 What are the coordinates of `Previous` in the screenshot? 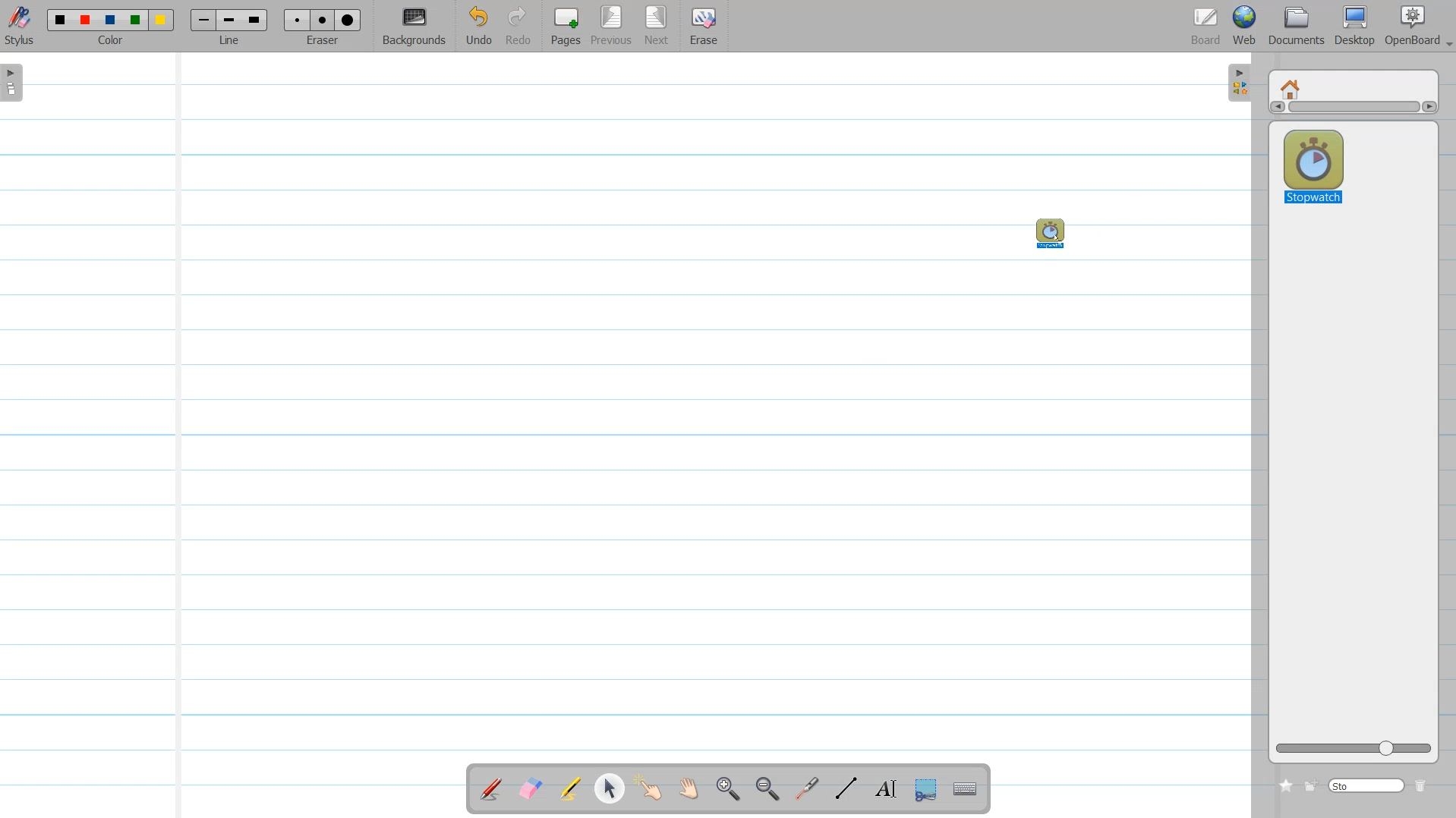 It's located at (614, 27).